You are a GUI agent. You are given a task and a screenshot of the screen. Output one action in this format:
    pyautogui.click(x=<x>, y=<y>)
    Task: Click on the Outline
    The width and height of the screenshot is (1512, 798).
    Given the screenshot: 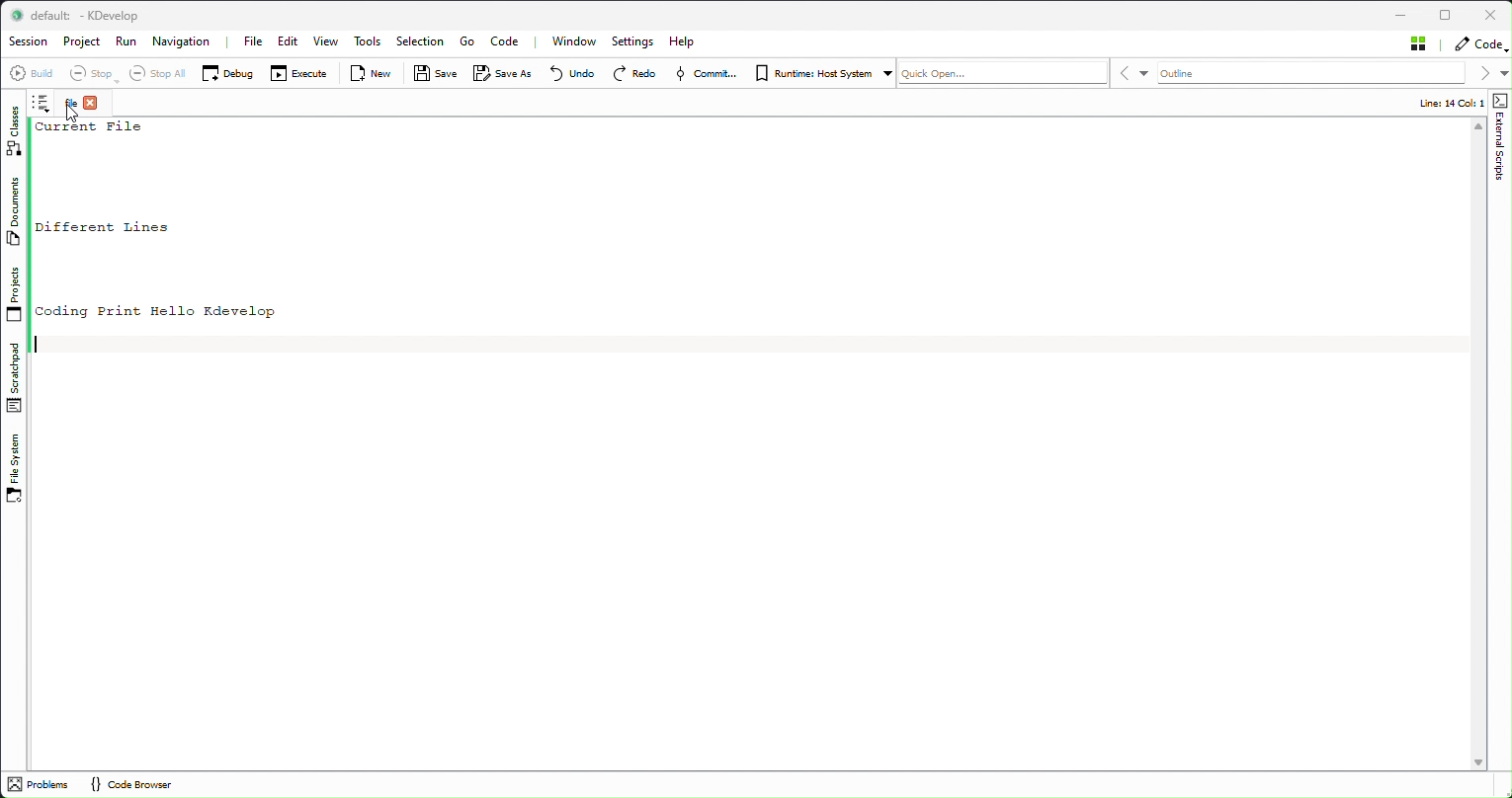 What is the action you would take?
    pyautogui.click(x=1311, y=73)
    